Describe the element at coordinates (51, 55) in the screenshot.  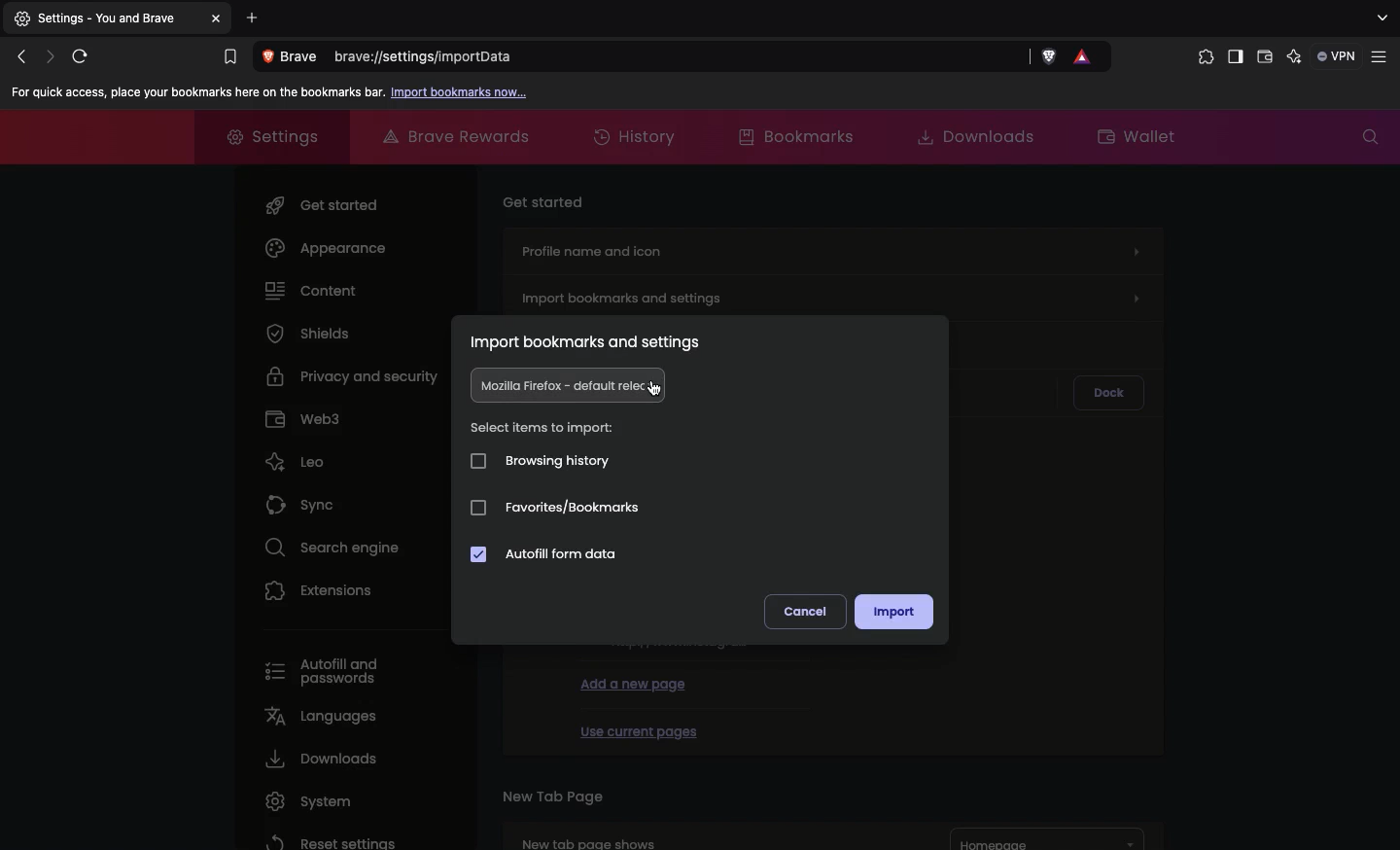
I see `Click to go forward, hold to see history` at that location.